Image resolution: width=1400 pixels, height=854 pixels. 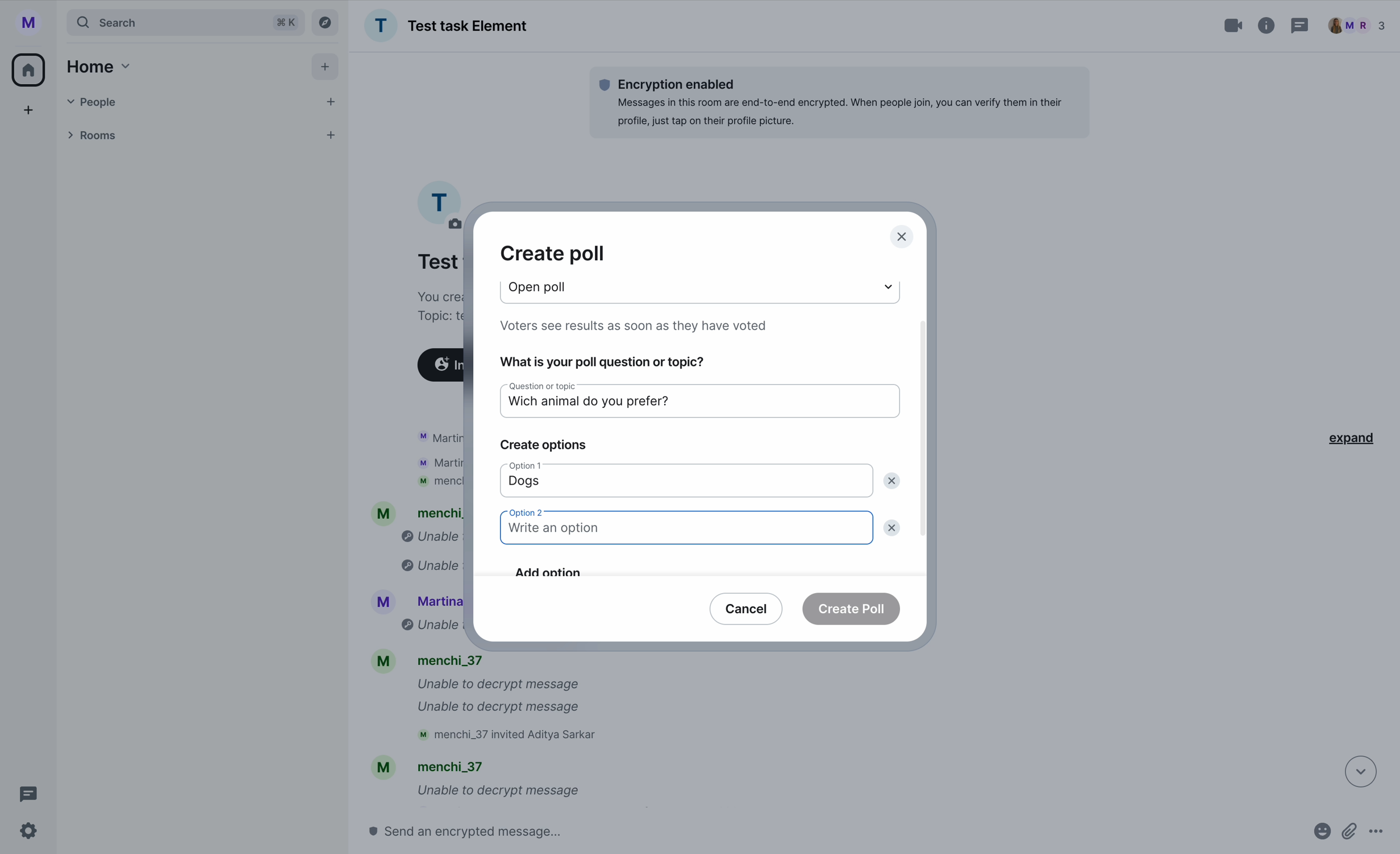 What do you see at coordinates (1357, 26) in the screenshot?
I see `people` at bounding box center [1357, 26].